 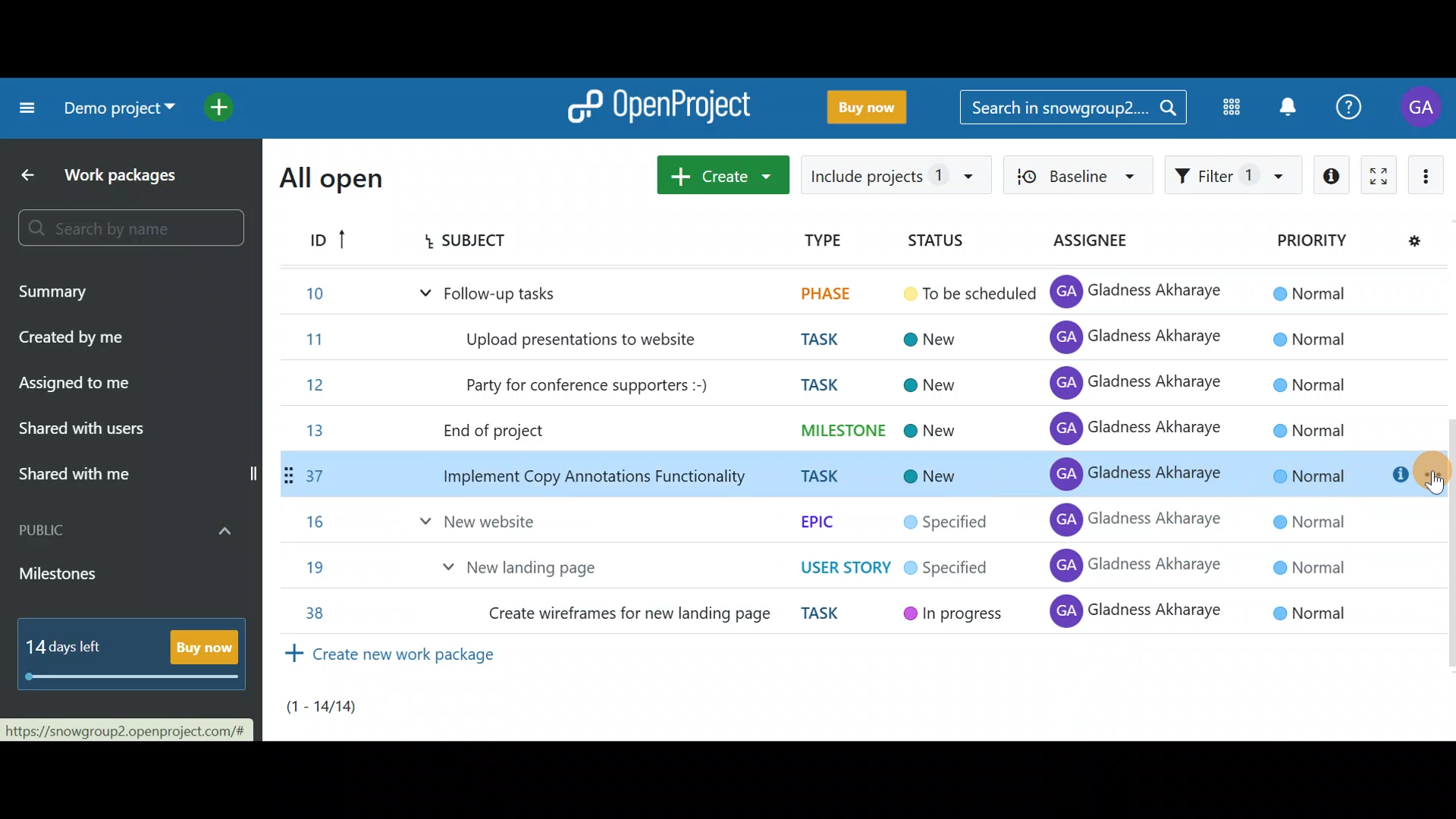 I want to click on Created by me, so click(x=102, y=337).